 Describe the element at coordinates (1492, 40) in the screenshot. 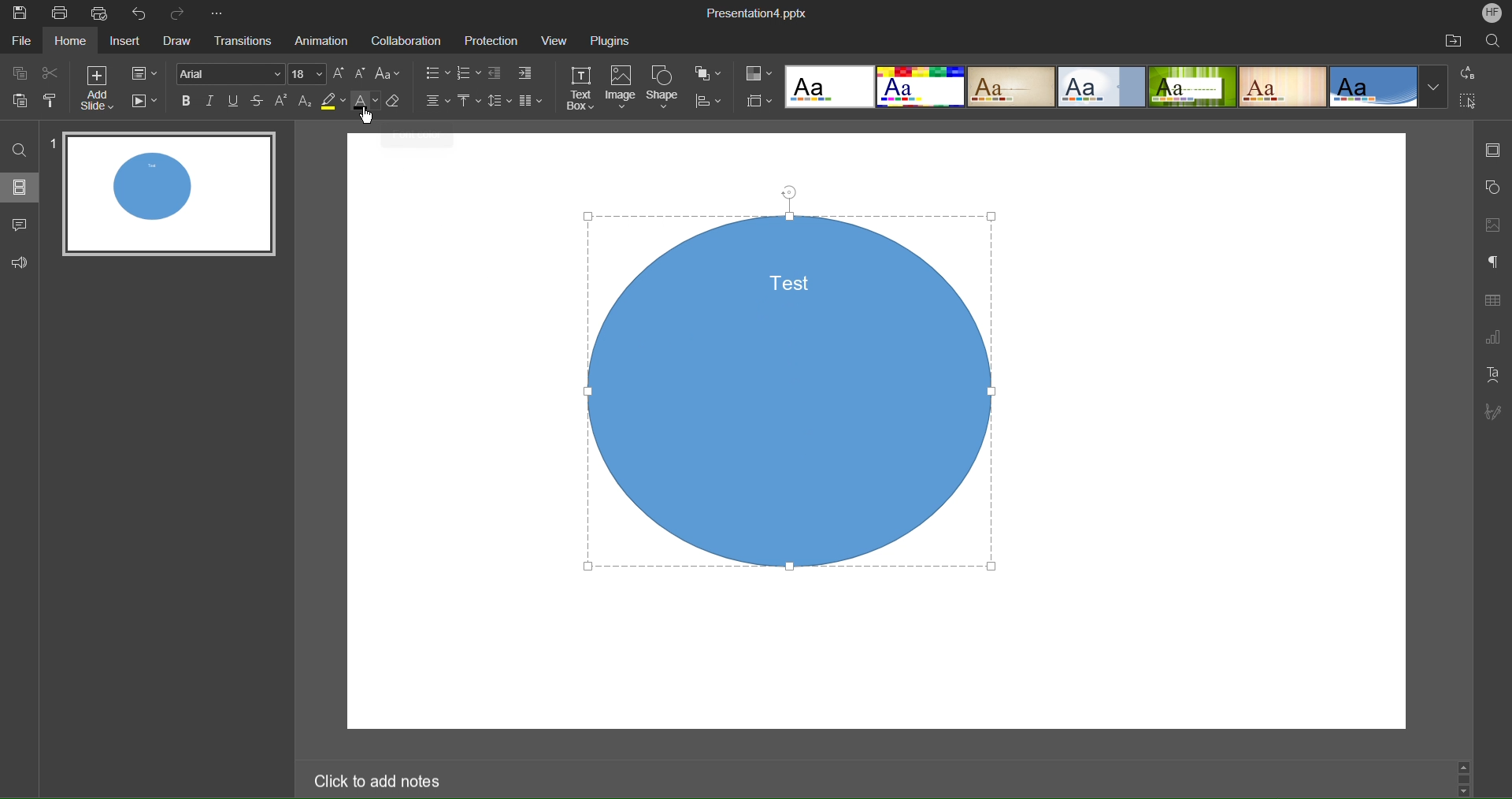

I see `Search` at that location.